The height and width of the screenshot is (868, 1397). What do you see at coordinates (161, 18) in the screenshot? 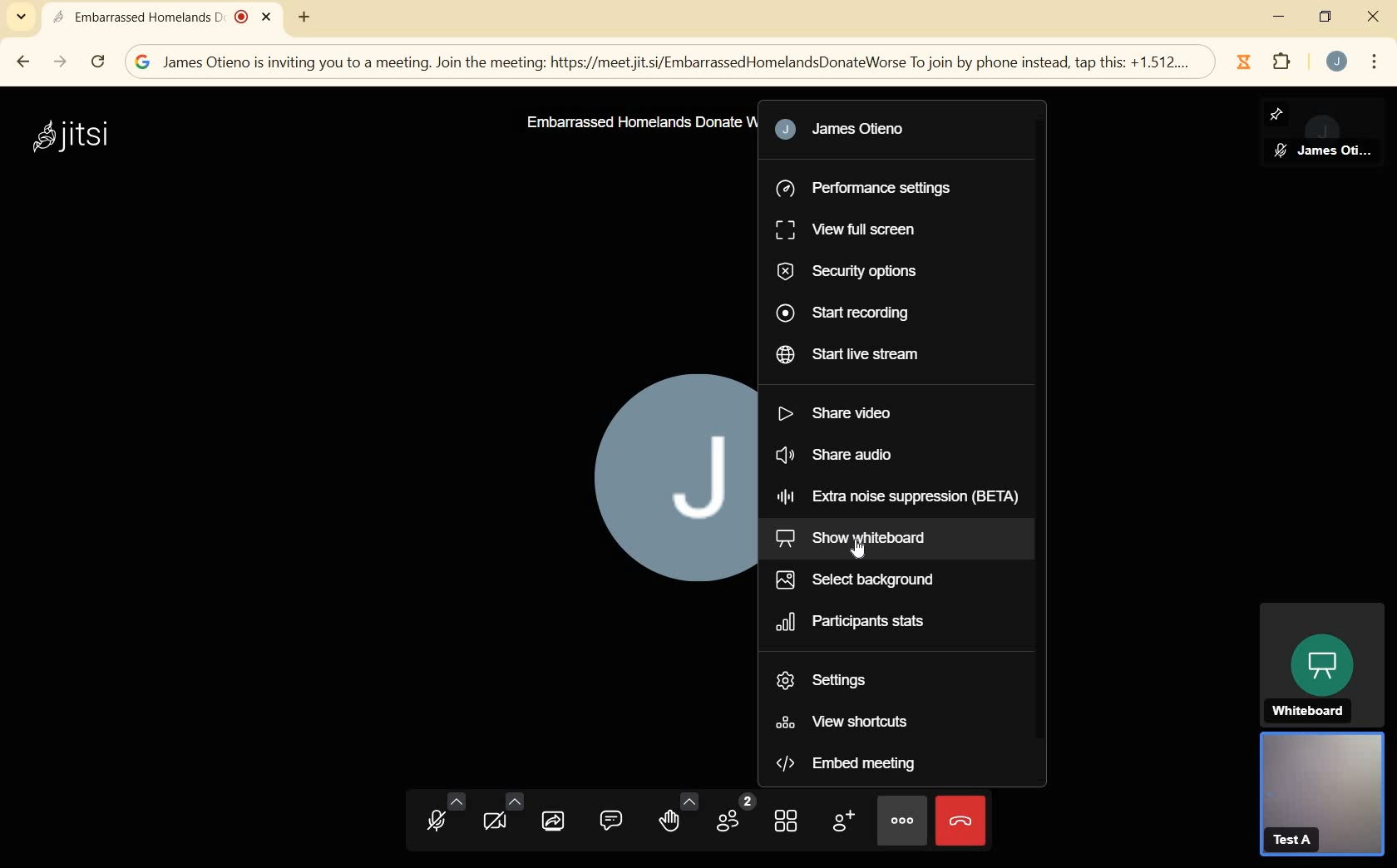
I see `Embarrassed Homelands D` at bounding box center [161, 18].